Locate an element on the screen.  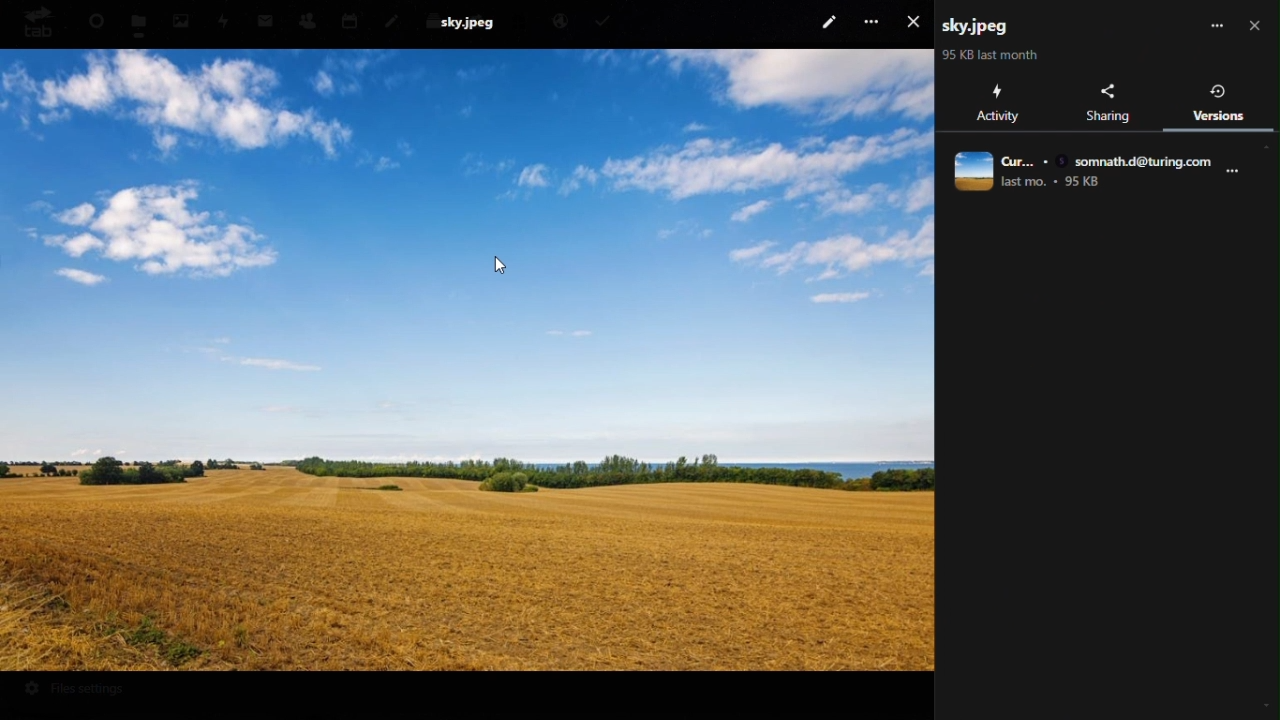
File name is located at coordinates (979, 25).